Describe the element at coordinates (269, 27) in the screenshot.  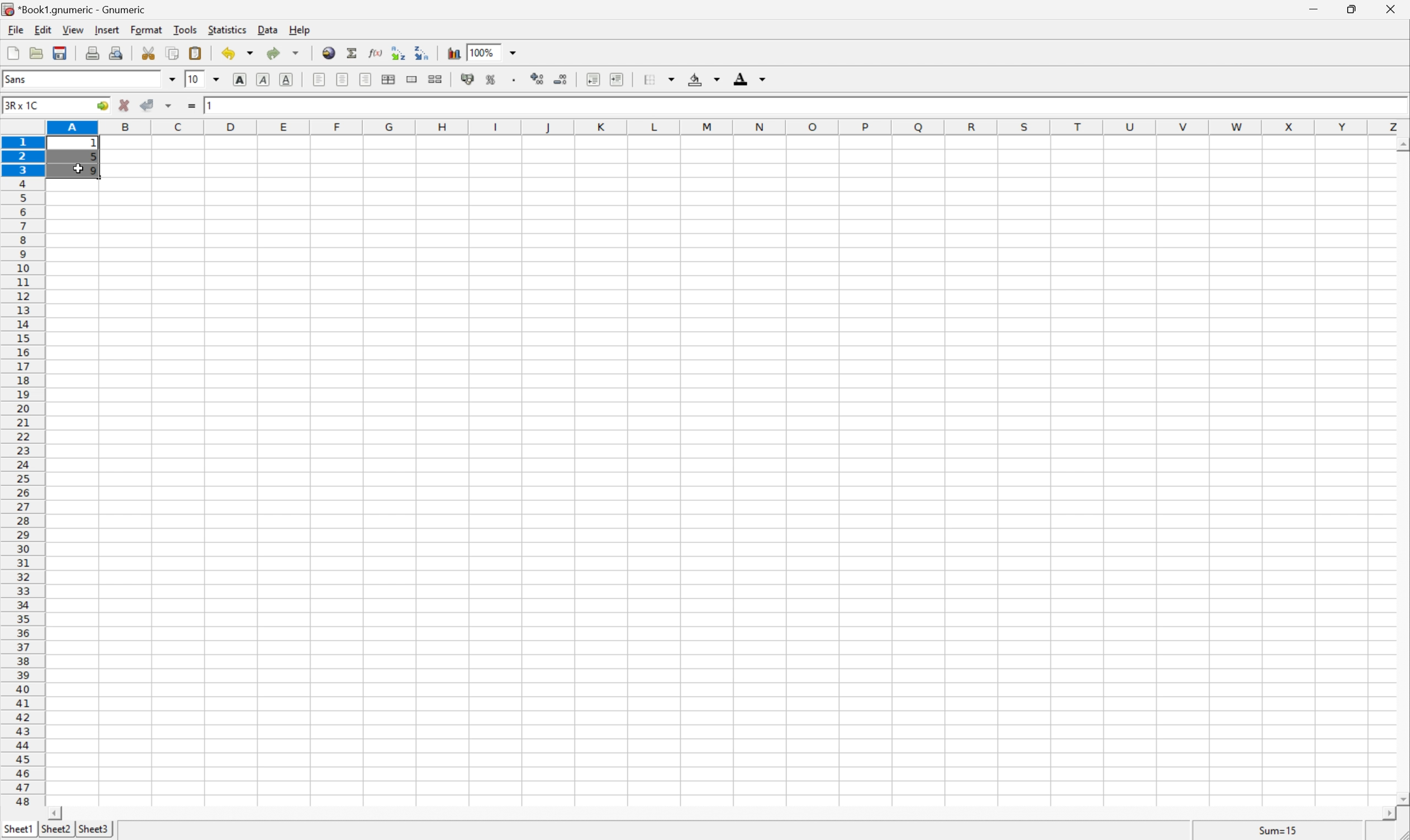
I see `data` at that location.